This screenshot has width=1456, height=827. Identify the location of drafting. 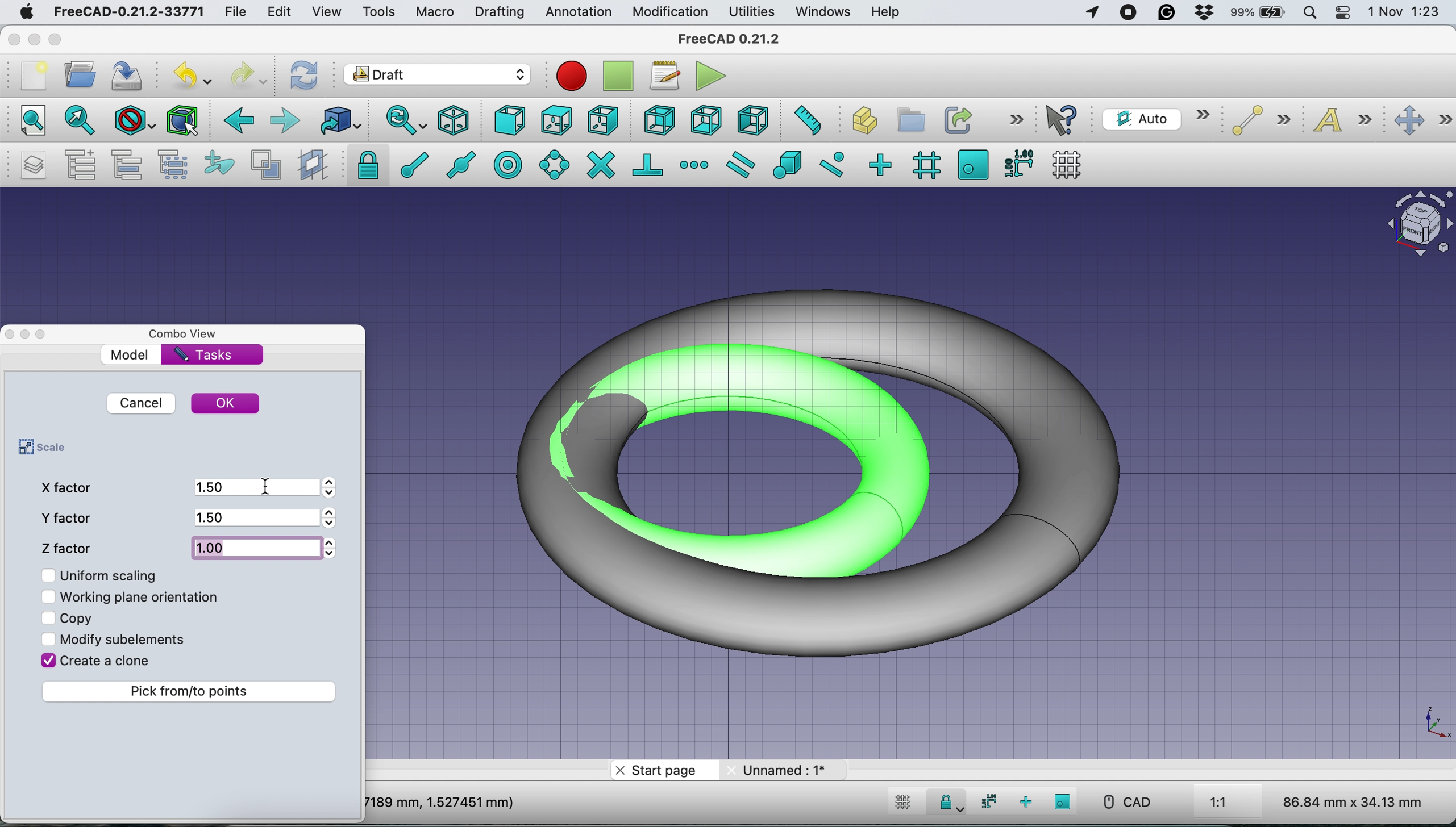
(499, 13).